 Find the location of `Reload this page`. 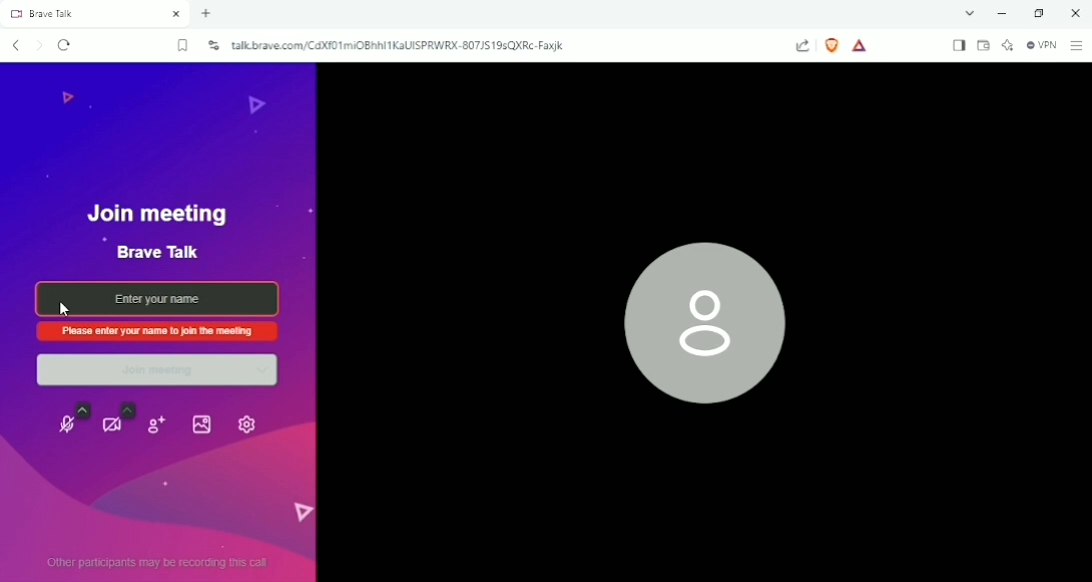

Reload this page is located at coordinates (66, 45).